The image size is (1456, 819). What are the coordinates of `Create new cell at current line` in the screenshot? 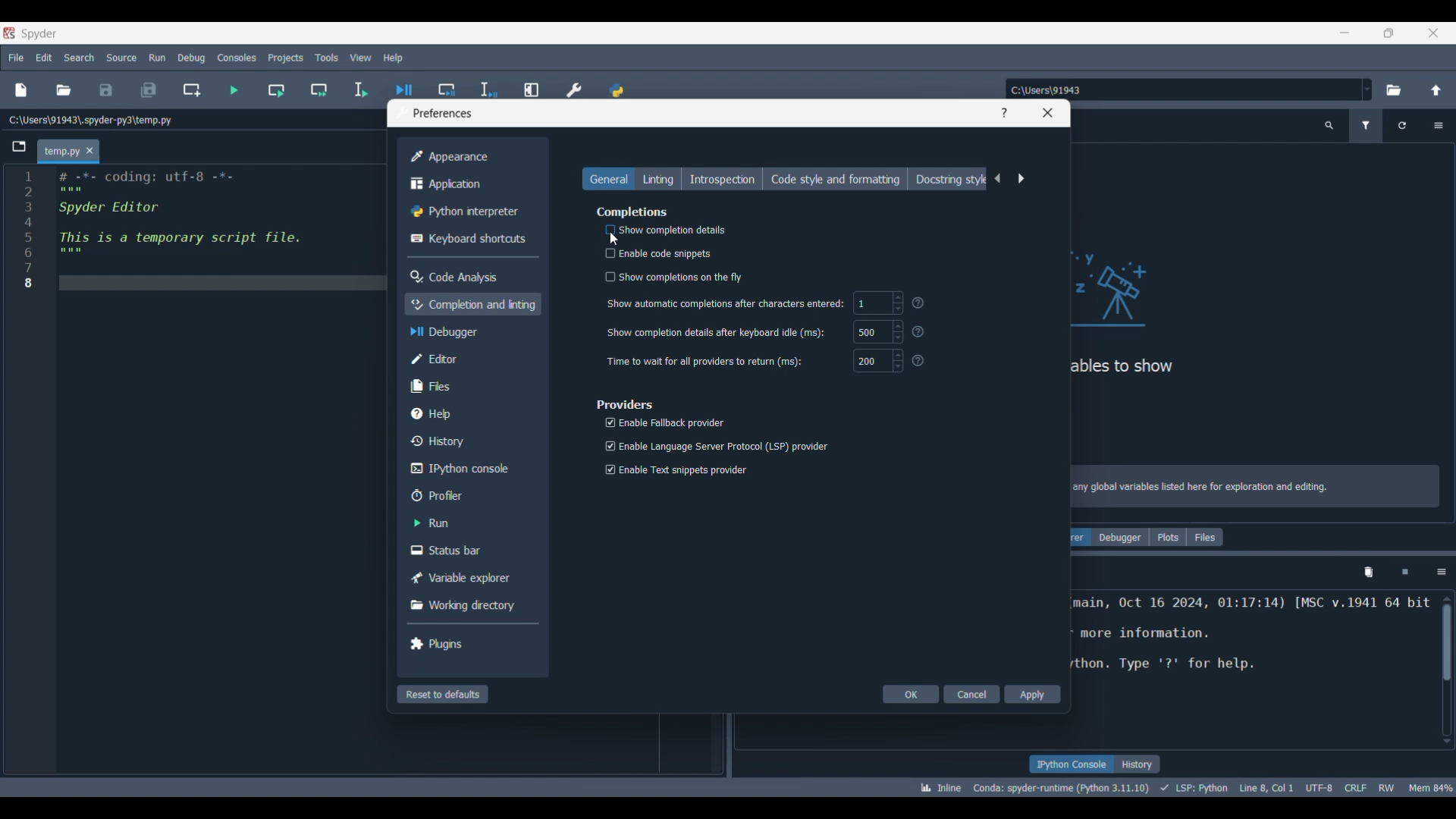 It's located at (191, 90).